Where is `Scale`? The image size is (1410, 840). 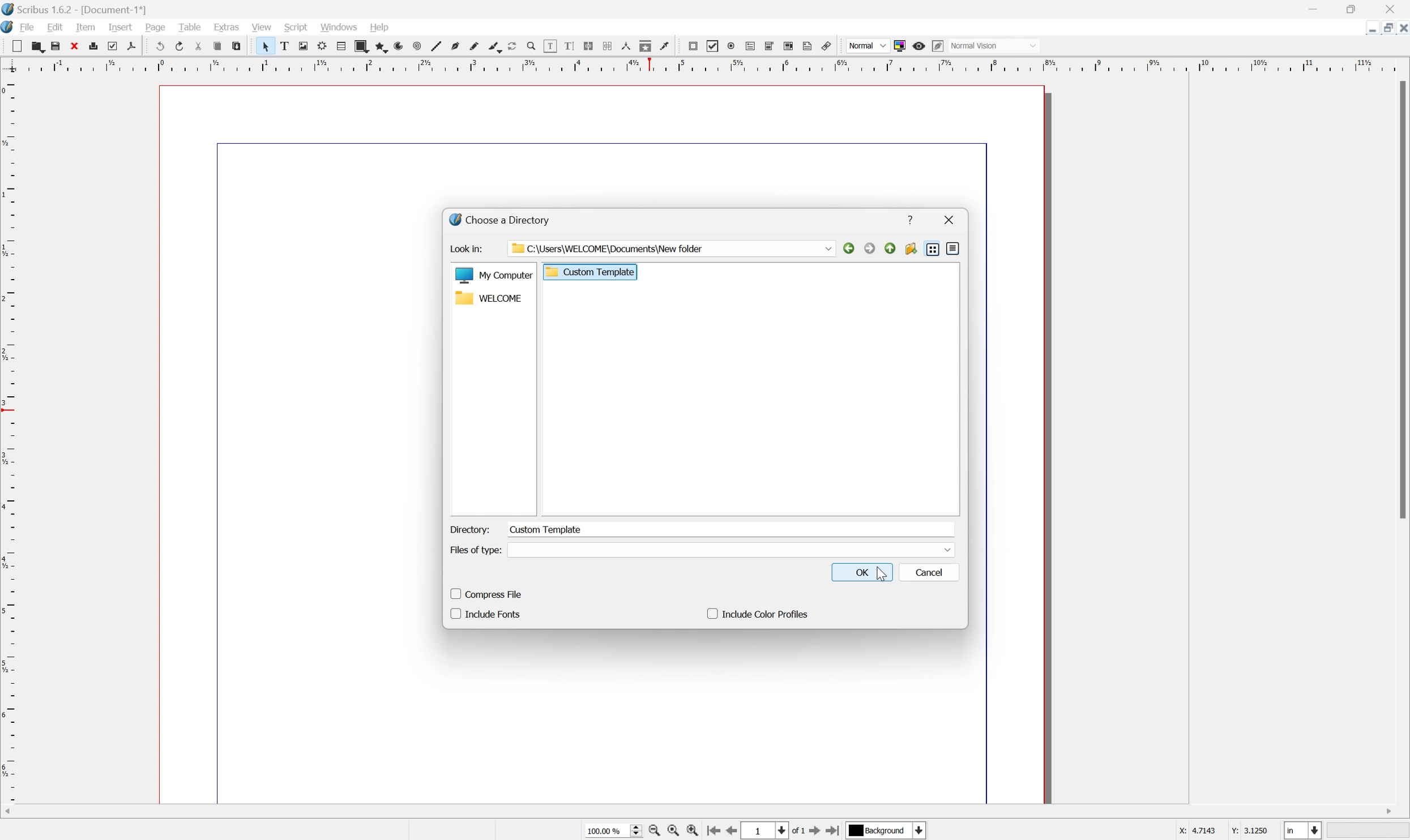
Scale is located at coordinates (707, 64).